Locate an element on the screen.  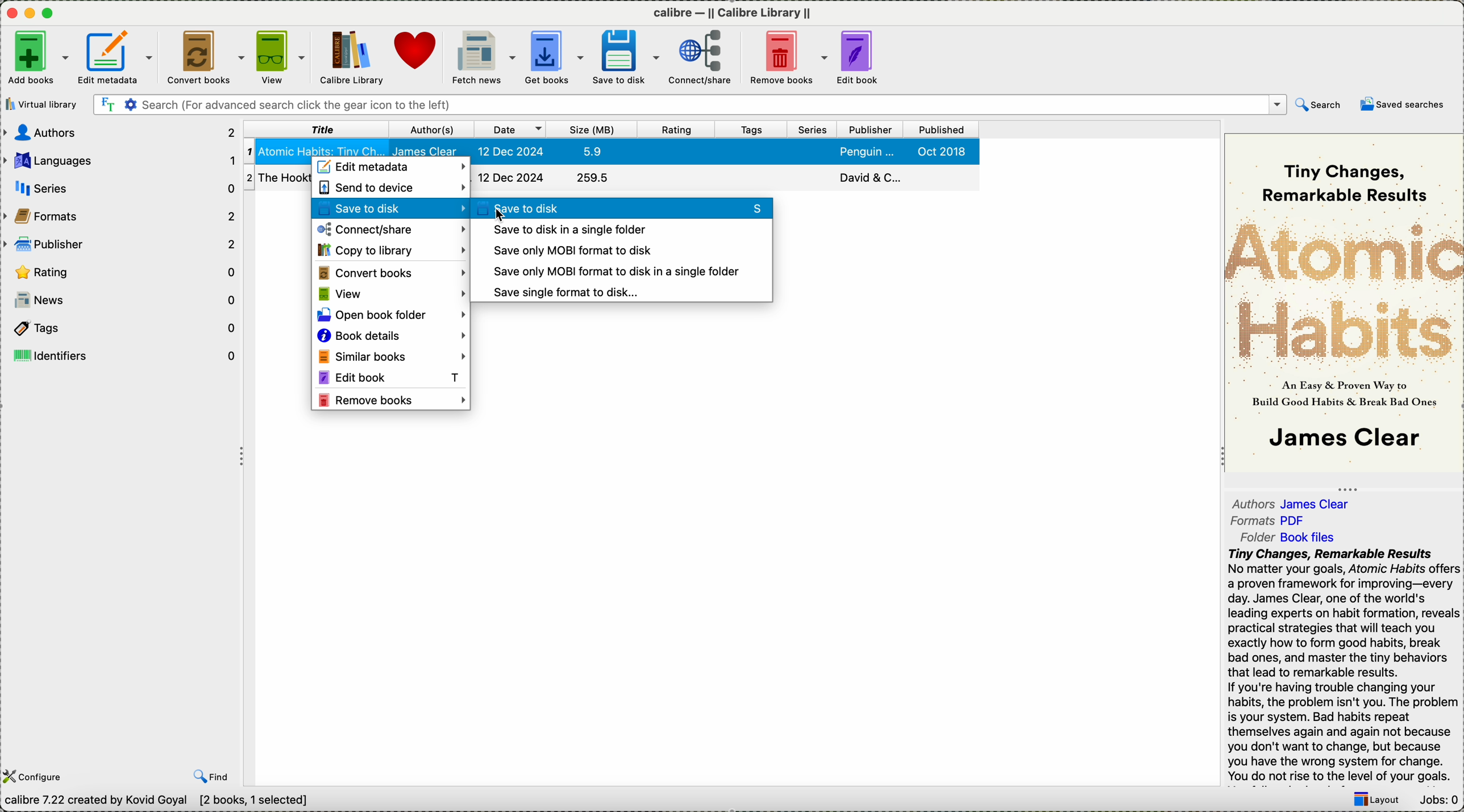
close program is located at coordinates (9, 12).